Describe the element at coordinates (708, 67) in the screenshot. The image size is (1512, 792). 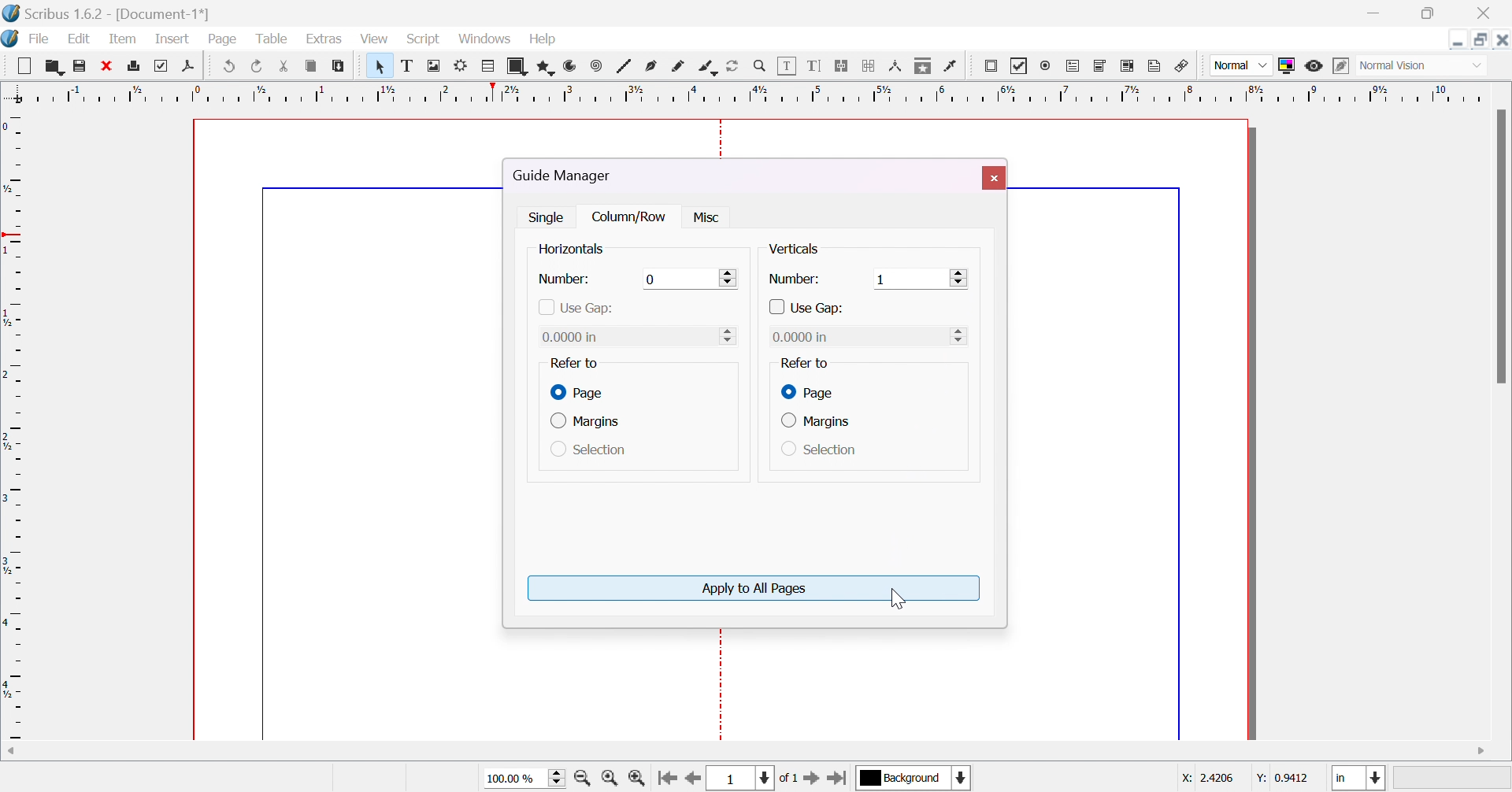
I see `calligraphic line` at that location.